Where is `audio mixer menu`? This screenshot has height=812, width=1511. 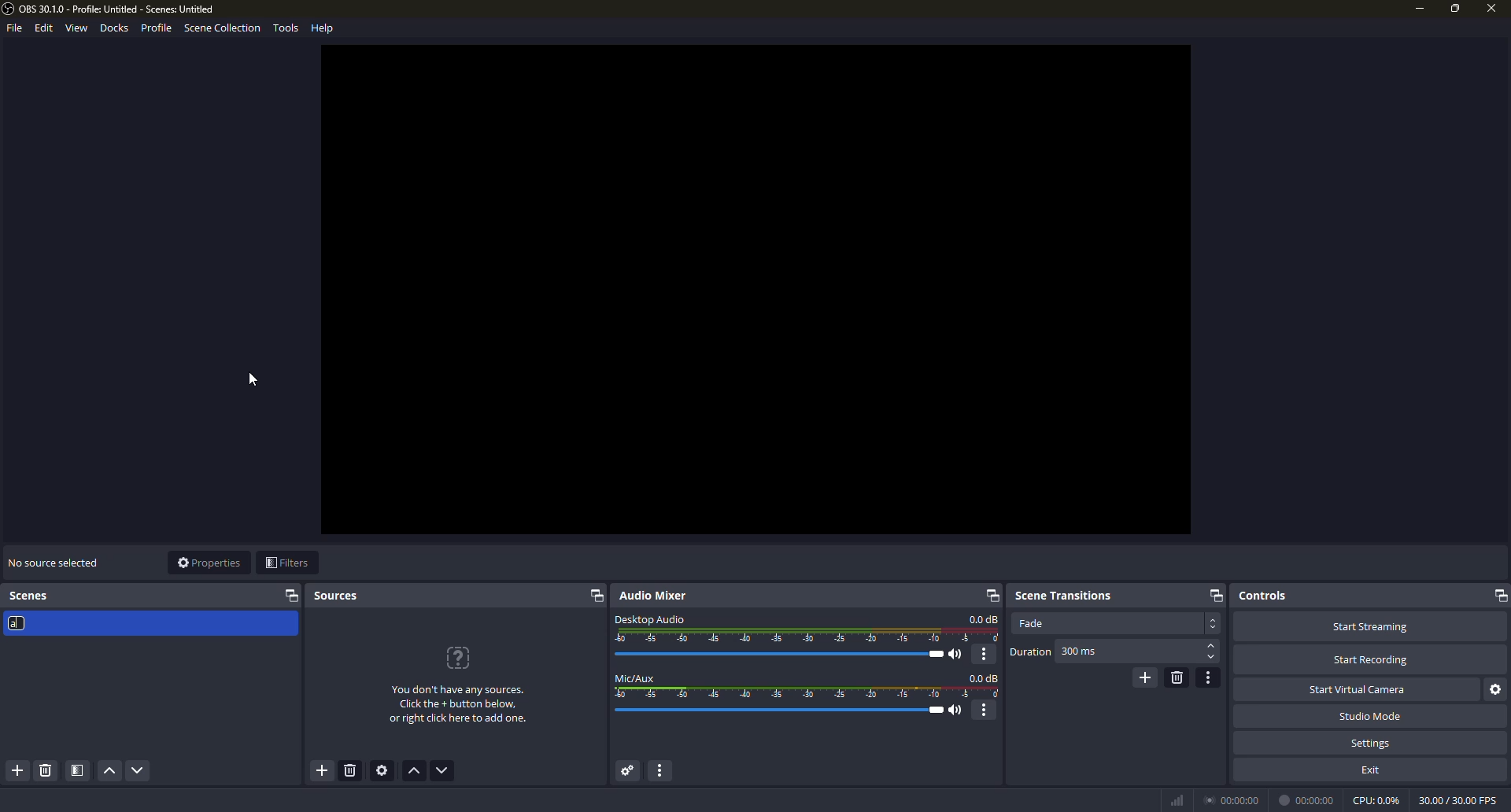
audio mixer menu is located at coordinates (665, 771).